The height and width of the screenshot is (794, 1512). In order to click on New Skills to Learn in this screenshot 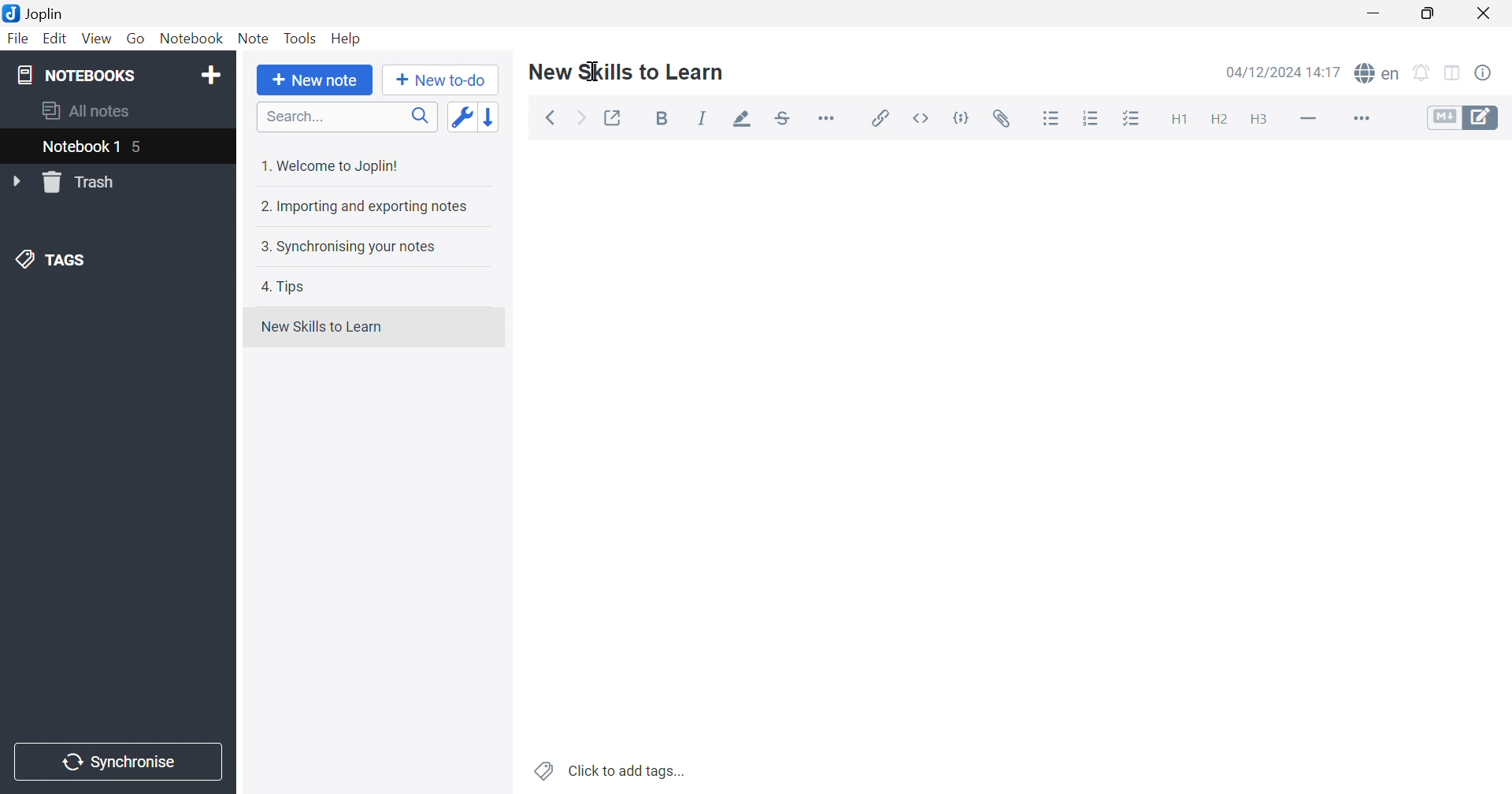, I will do `click(321, 327)`.